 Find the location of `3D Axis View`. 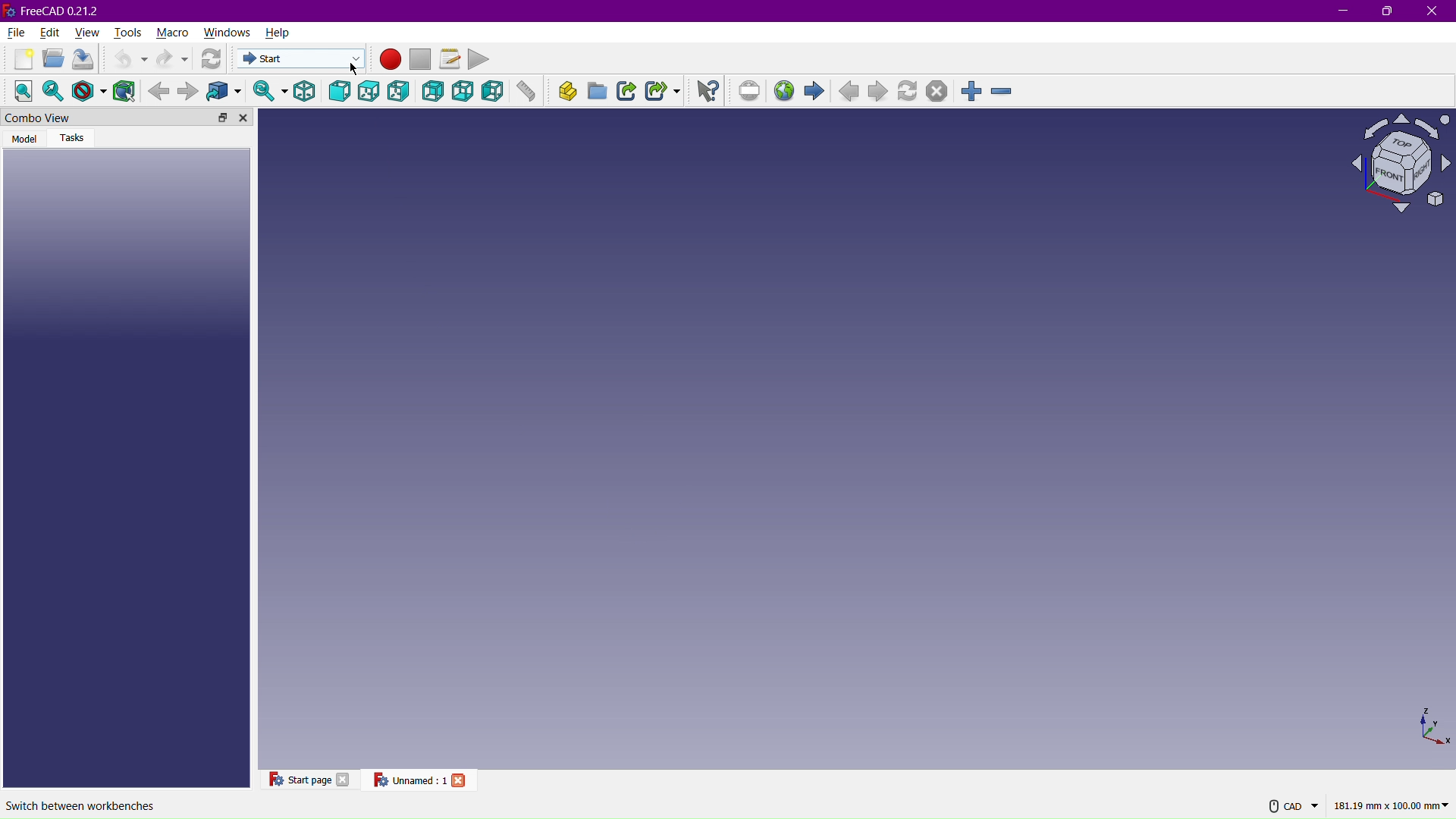

3D Axis View is located at coordinates (1432, 727).